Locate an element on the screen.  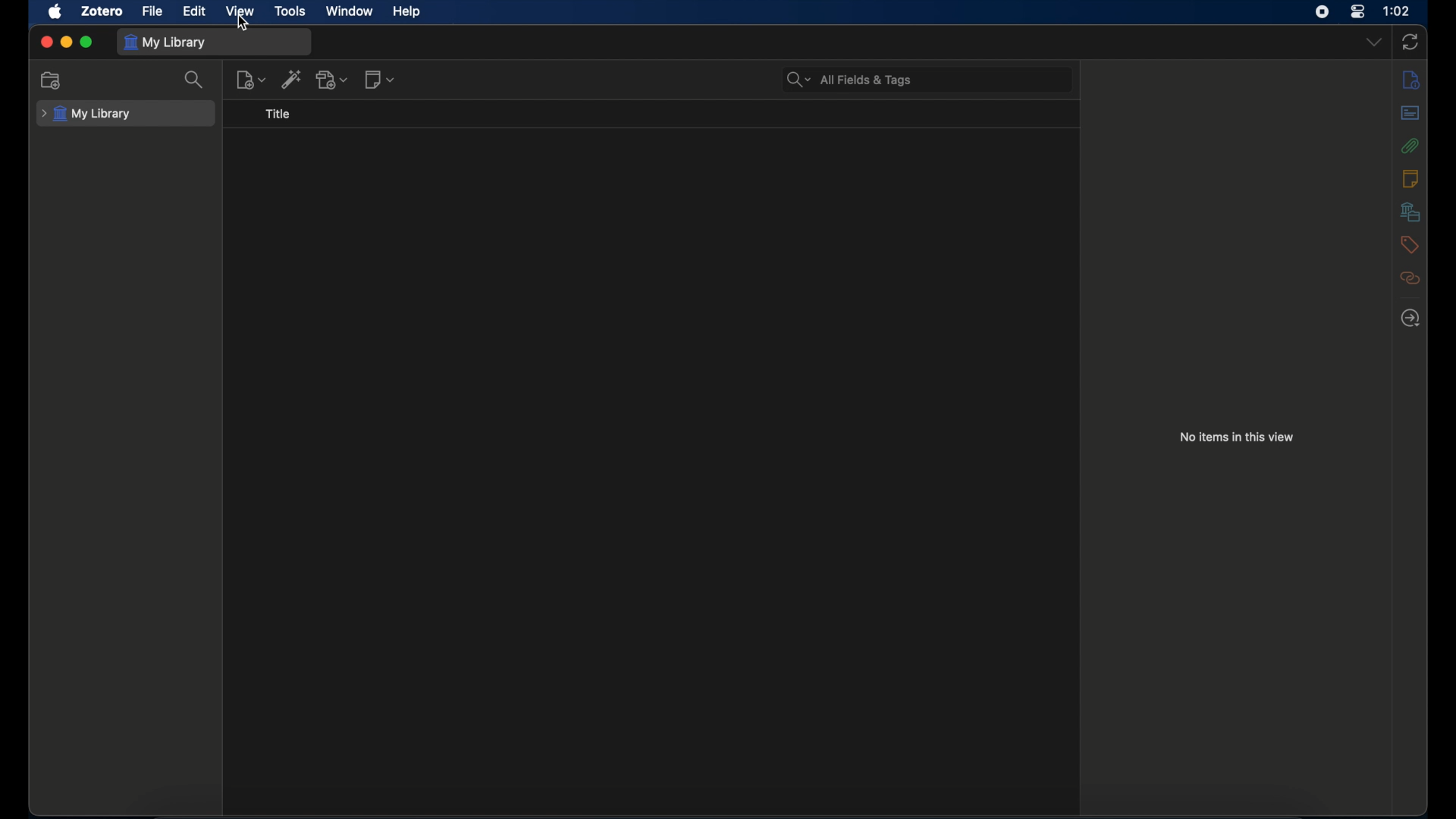
search bar is located at coordinates (847, 80).